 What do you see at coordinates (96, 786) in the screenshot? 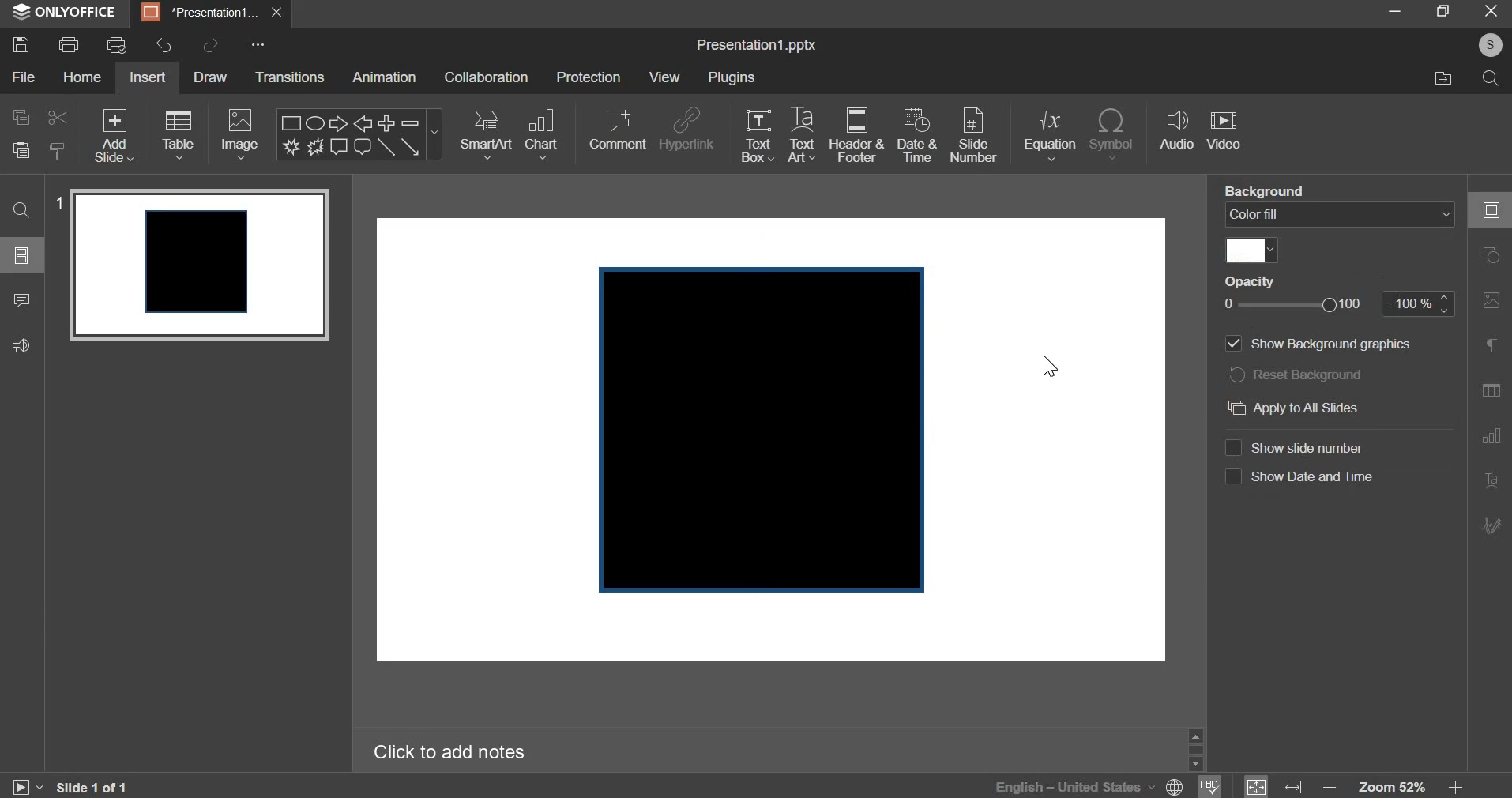
I see `Slide 1 of 1` at bounding box center [96, 786].